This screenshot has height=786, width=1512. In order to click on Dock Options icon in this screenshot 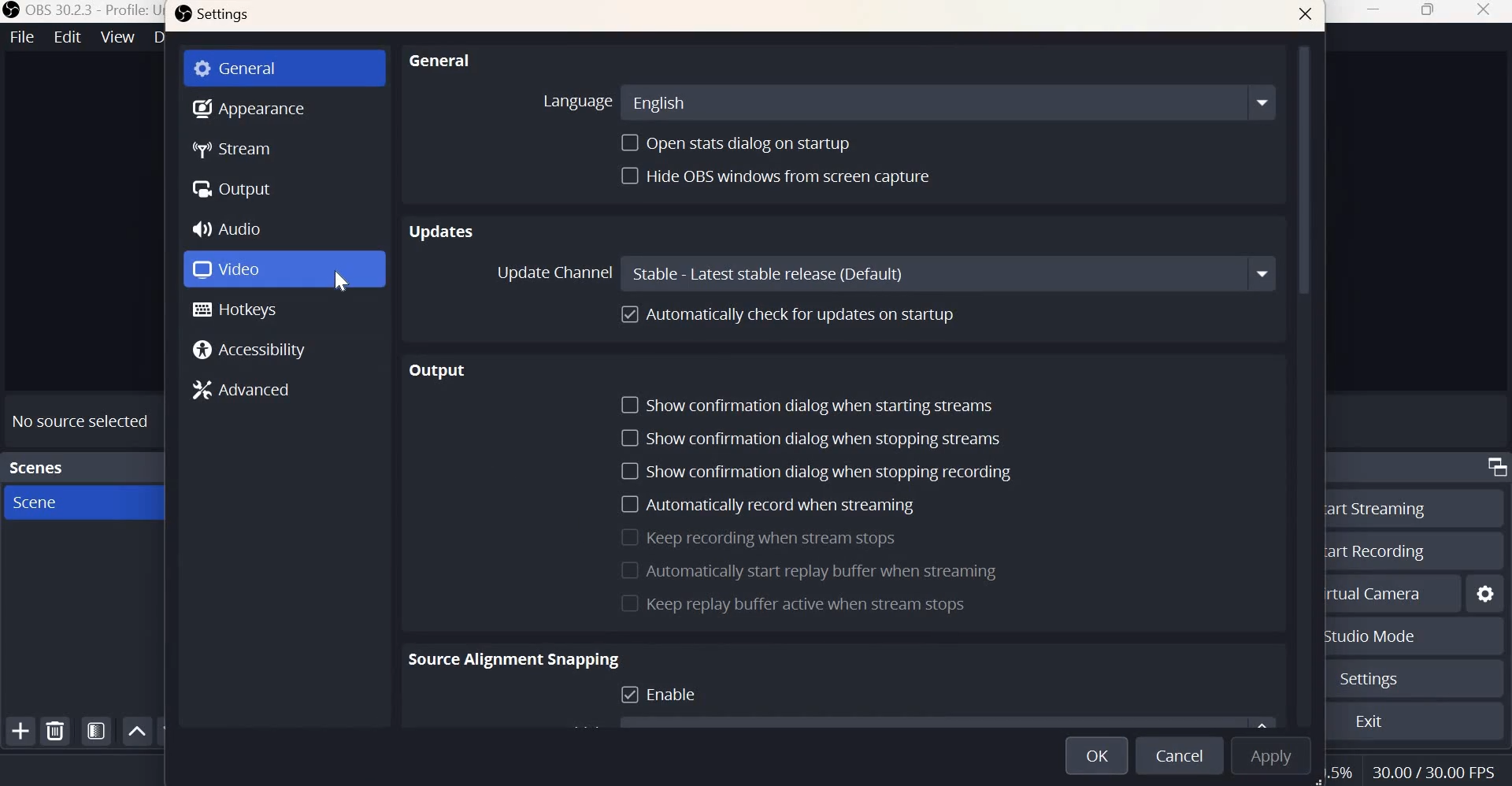, I will do `click(1493, 469)`.